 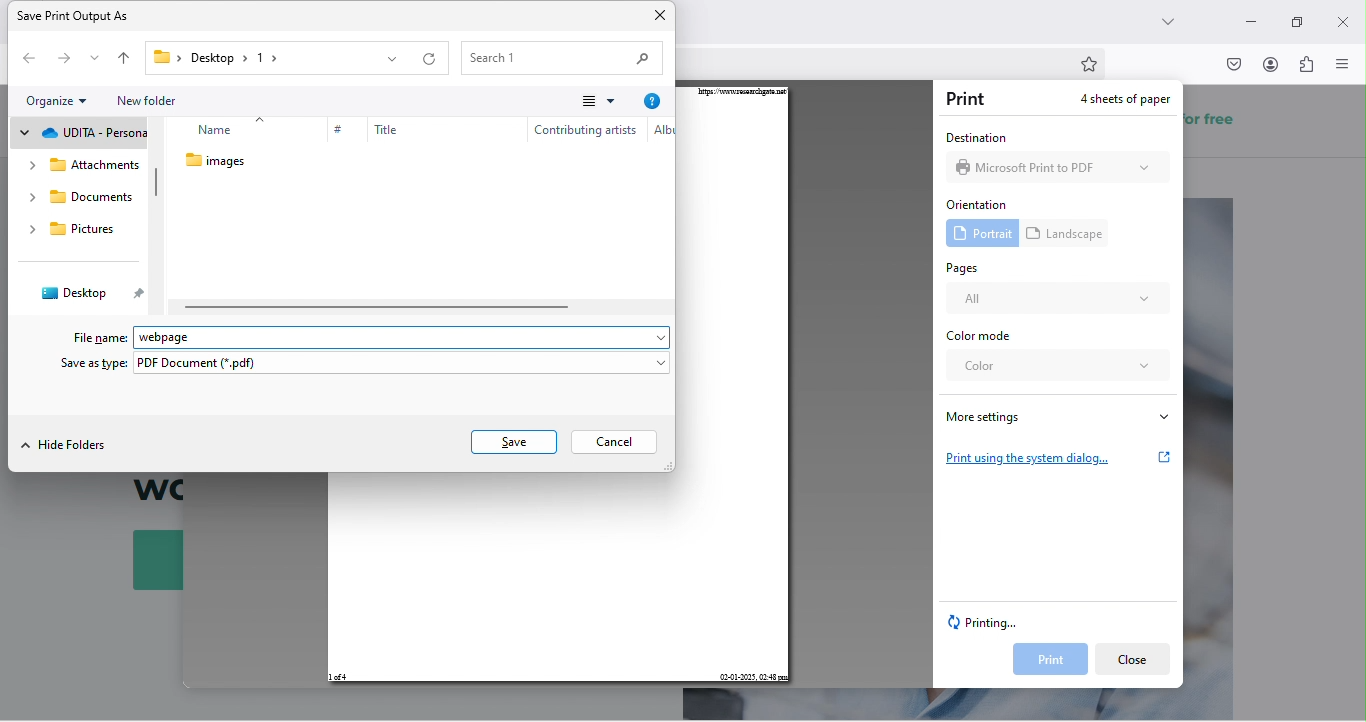 What do you see at coordinates (380, 135) in the screenshot?
I see `title` at bounding box center [380, 135].